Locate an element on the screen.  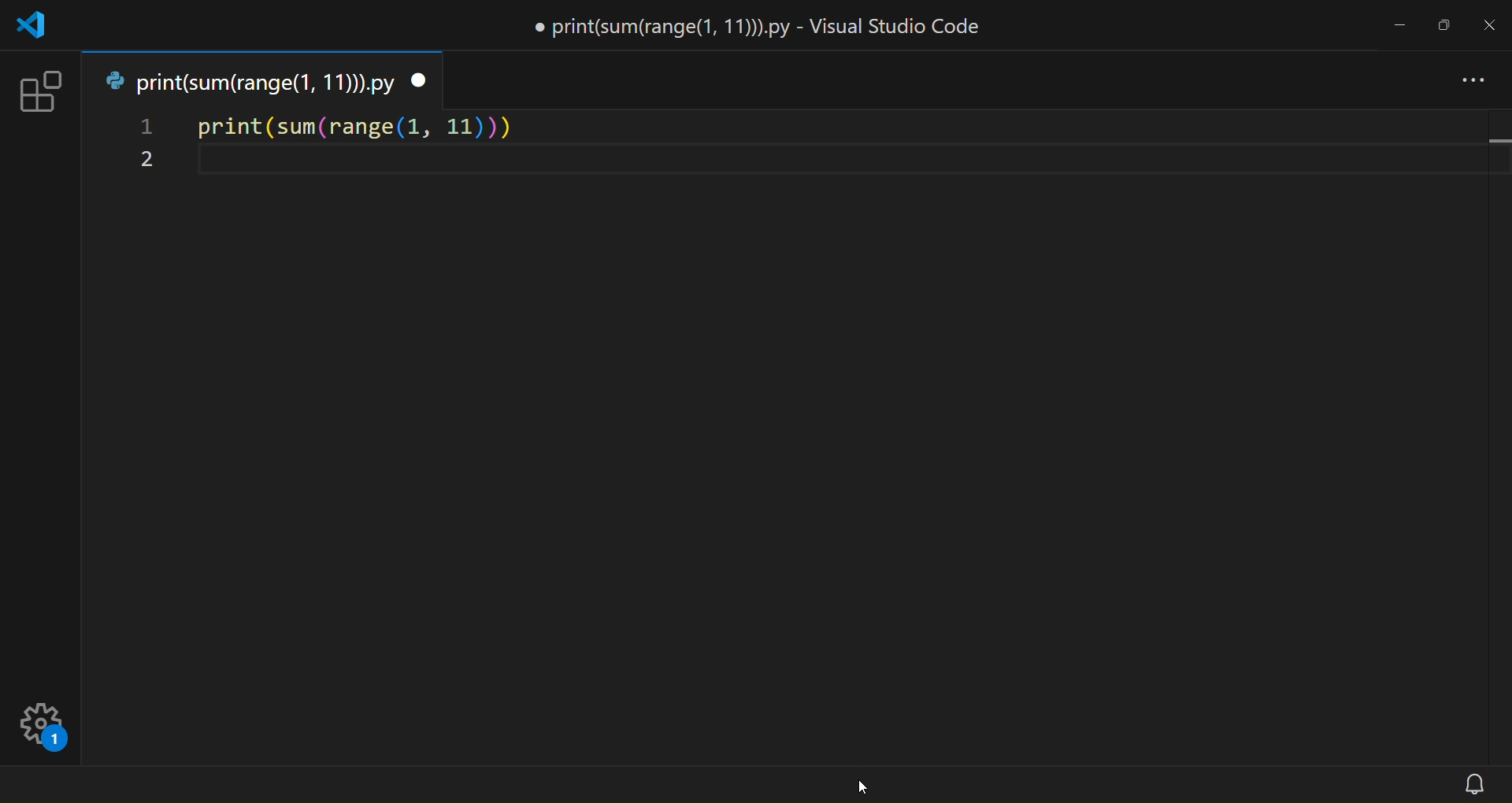
 print(sum(range(1, 11))).py is located at coordinates (246, 79).